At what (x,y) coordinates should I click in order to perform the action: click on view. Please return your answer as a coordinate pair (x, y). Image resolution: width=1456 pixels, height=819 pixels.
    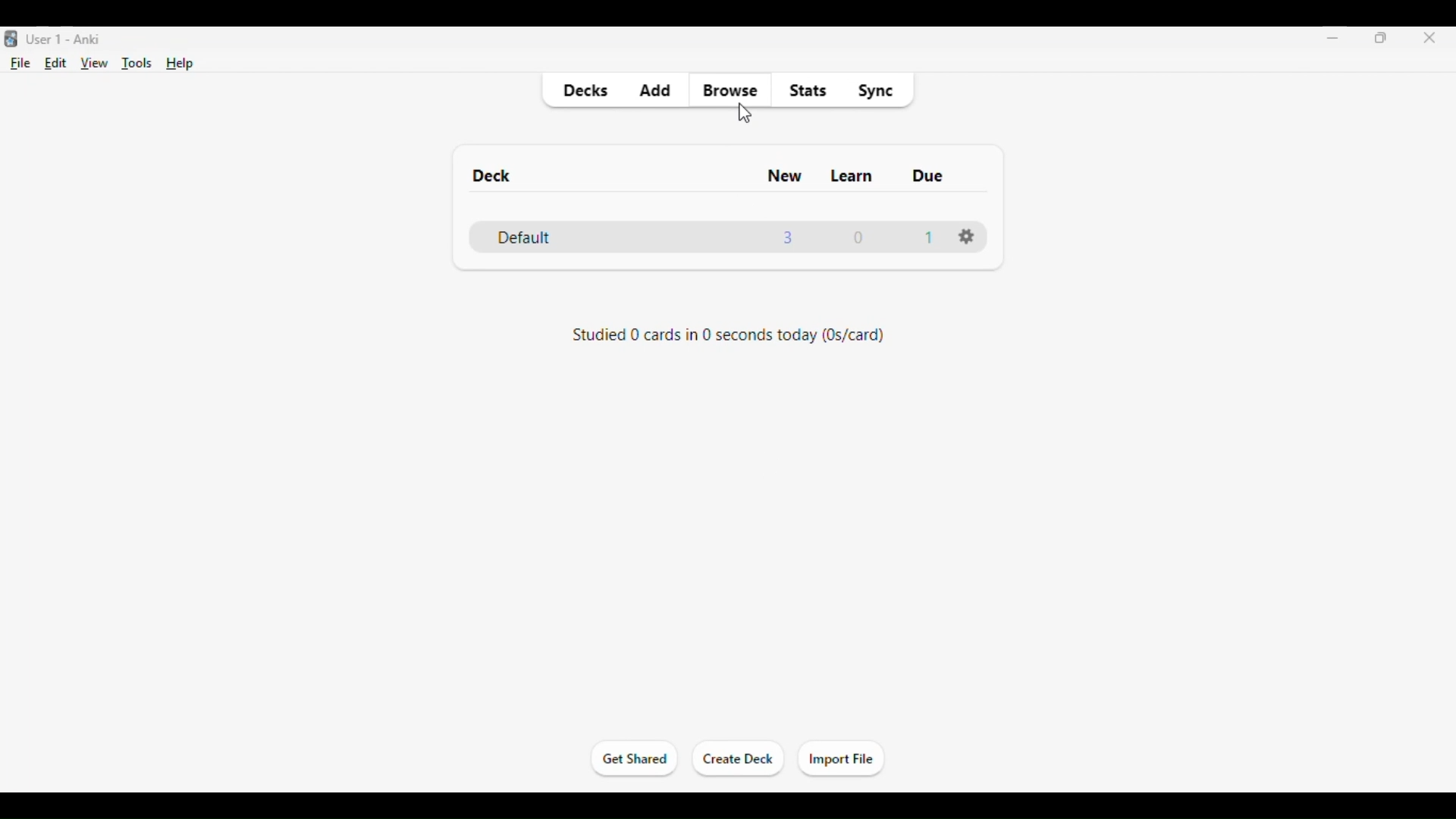
    Looking at the image, I should click on (95, 64).